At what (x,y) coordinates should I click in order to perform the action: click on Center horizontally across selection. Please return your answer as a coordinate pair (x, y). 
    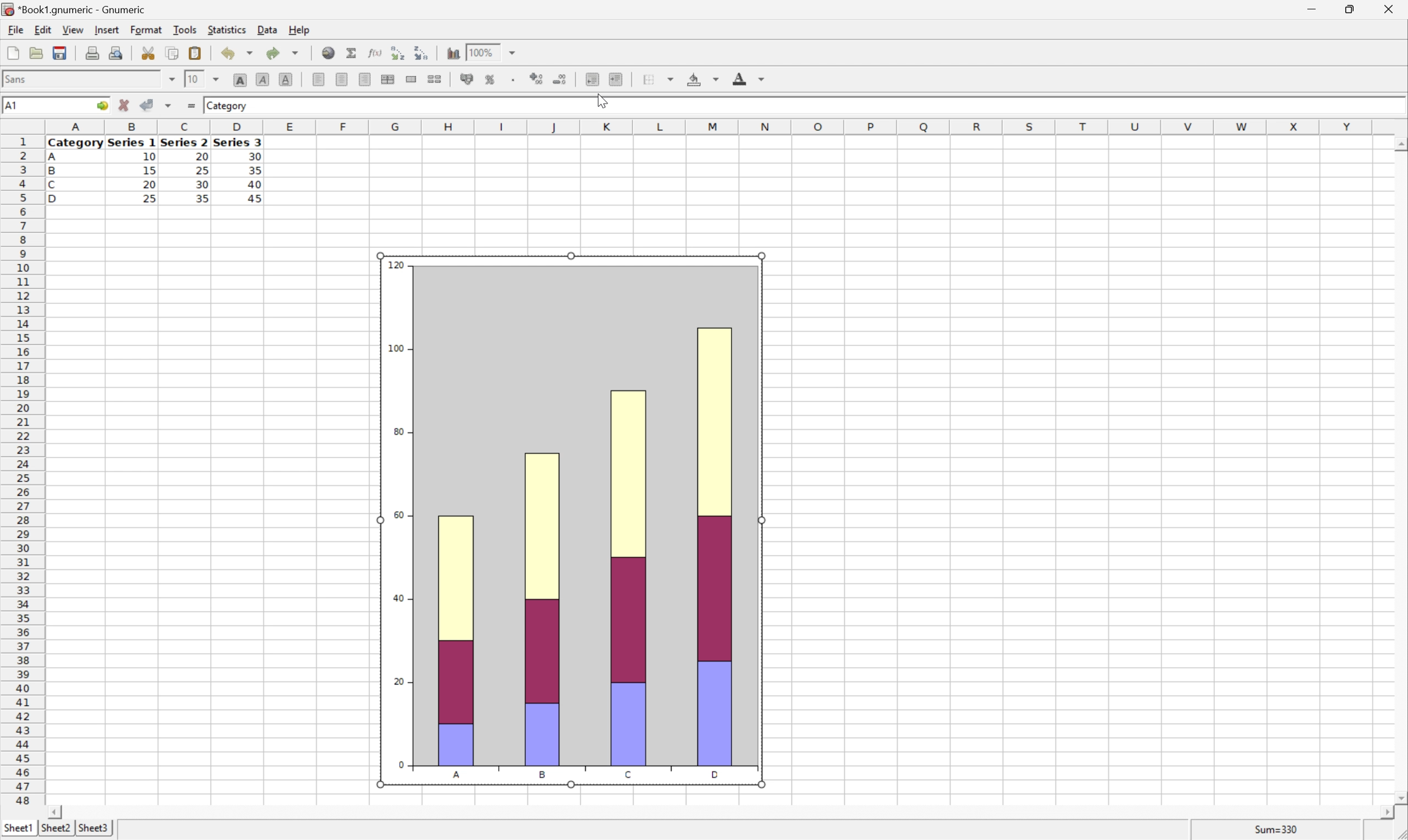
    Looking at the image, I should click on (387, 78).